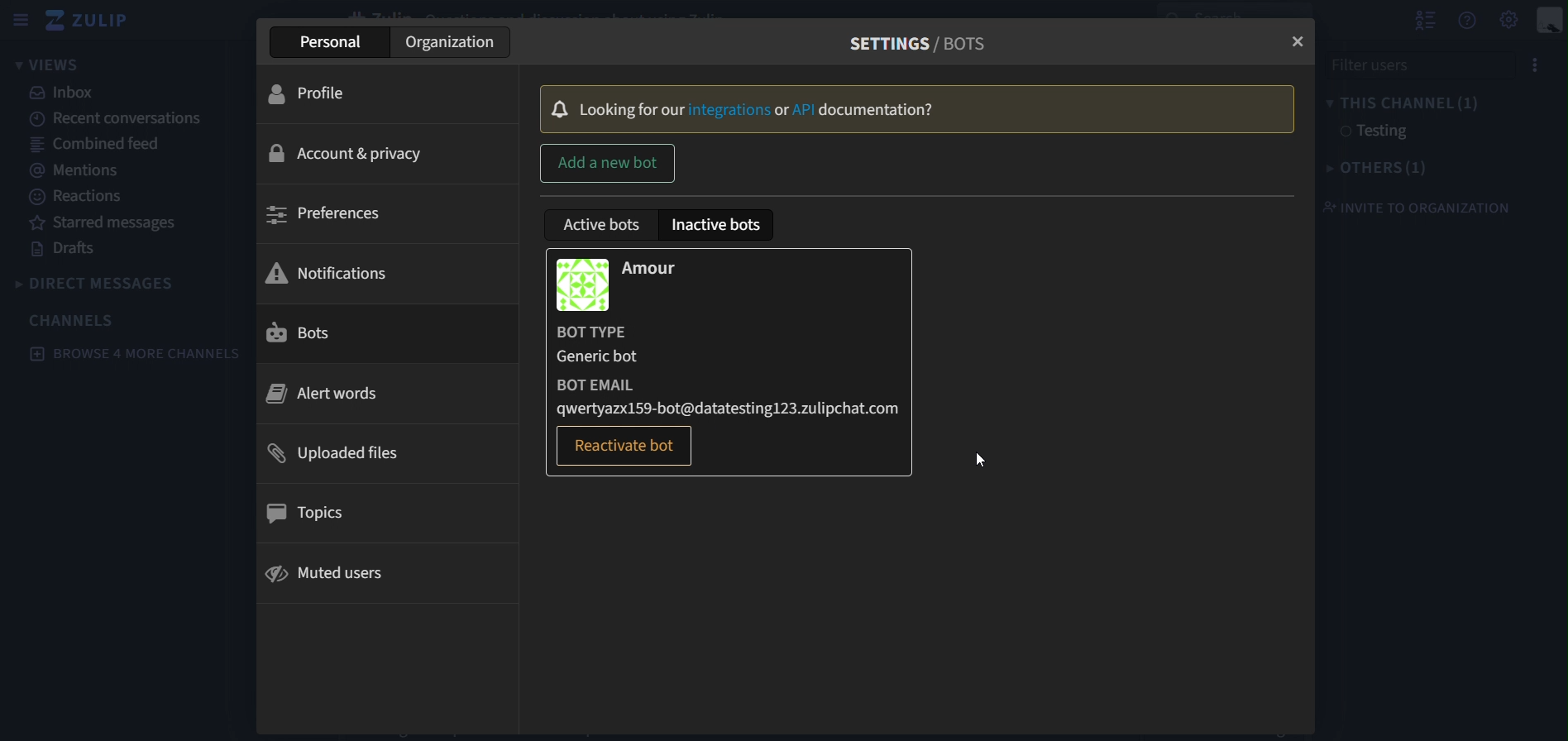  What do you see at coordinates (447, 41) in the screenshot?
I see `organization` at bounding box center [447, 41].